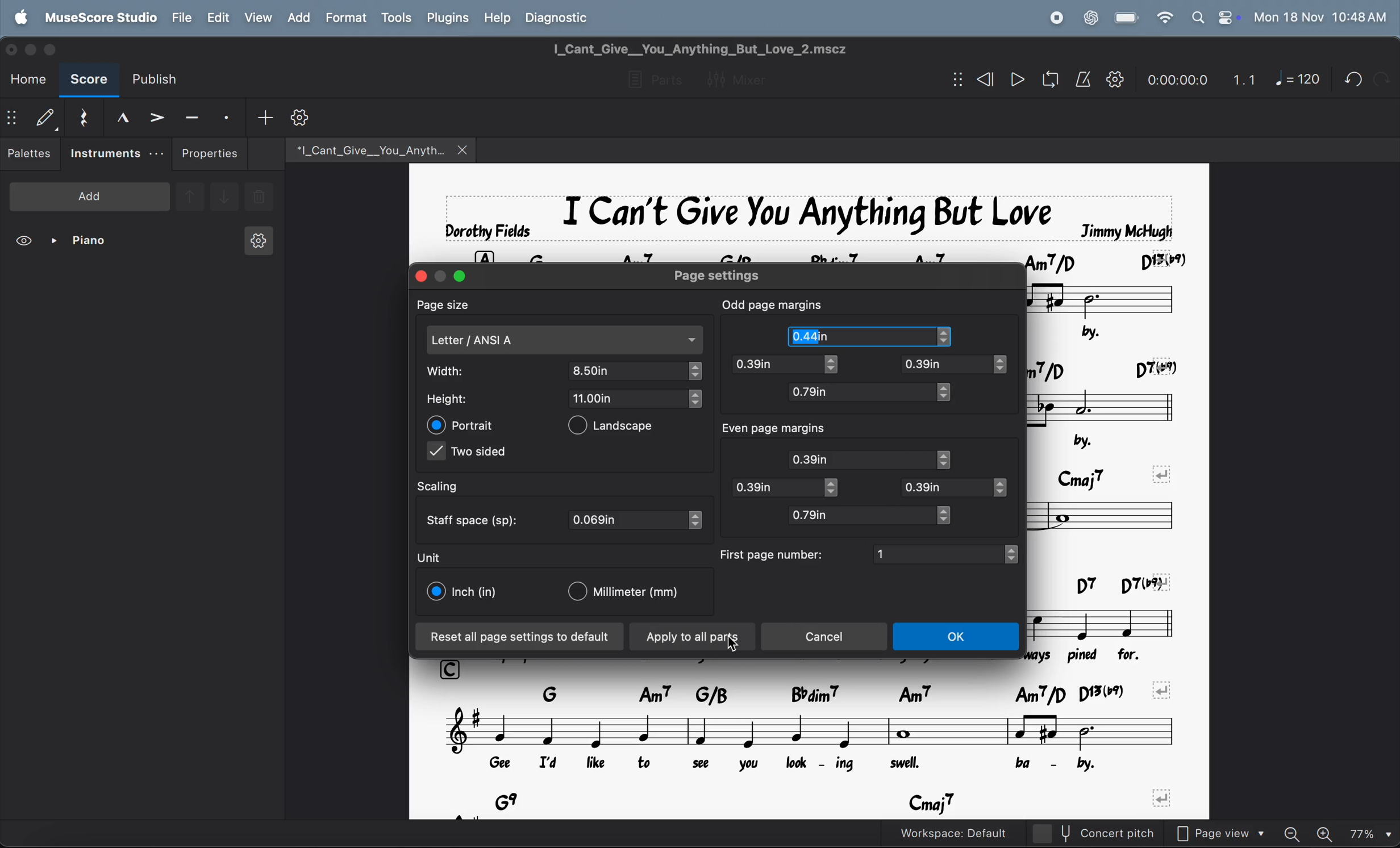  Describe the element at coordinates (856, 252) in the screenshot. I see `chord symbols` at that location.